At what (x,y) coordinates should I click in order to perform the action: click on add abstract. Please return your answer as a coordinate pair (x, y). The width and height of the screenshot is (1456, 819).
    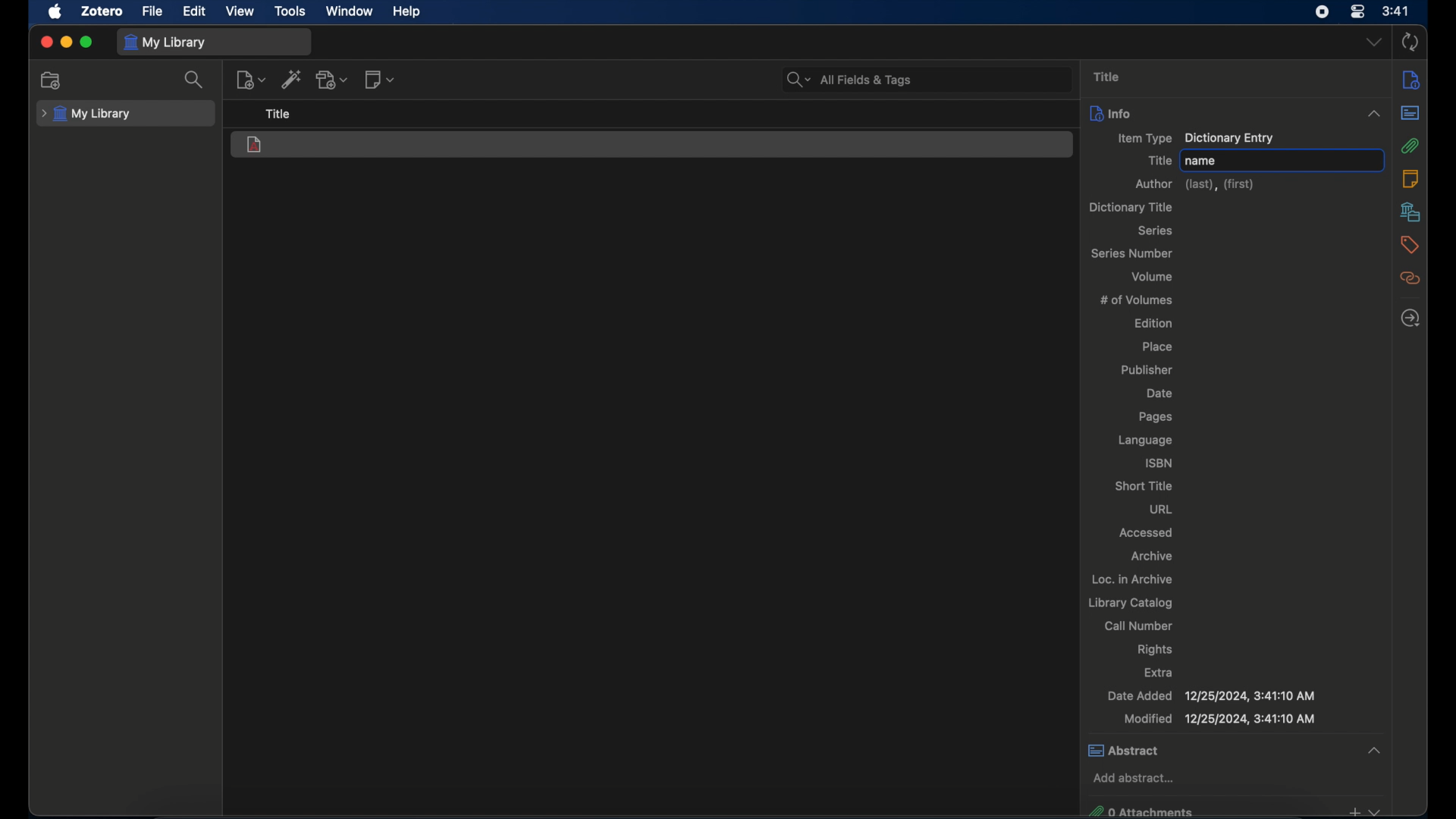
    Looking at the image, I should click on (1134, 777).